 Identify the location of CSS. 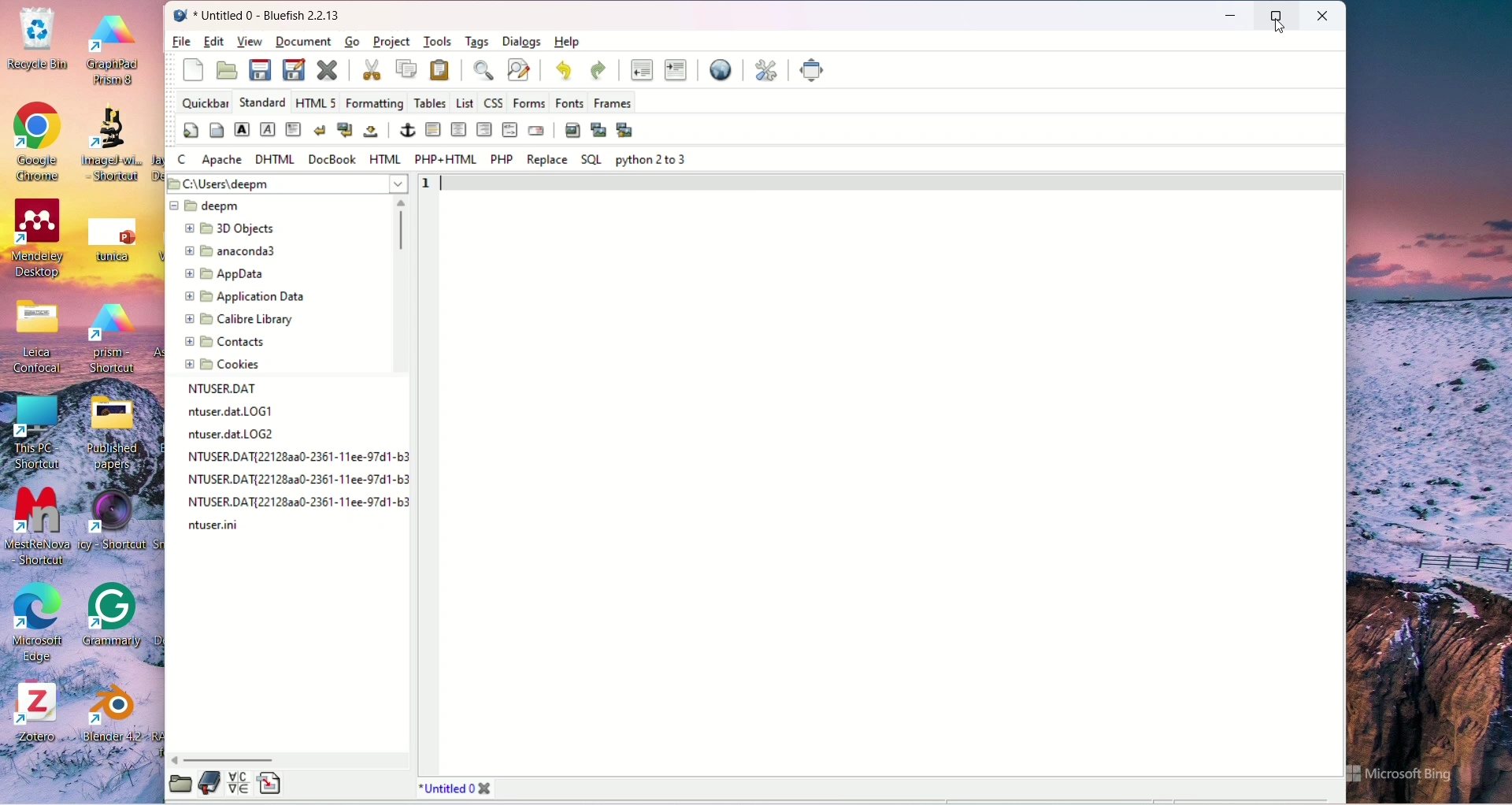
(491, 102).